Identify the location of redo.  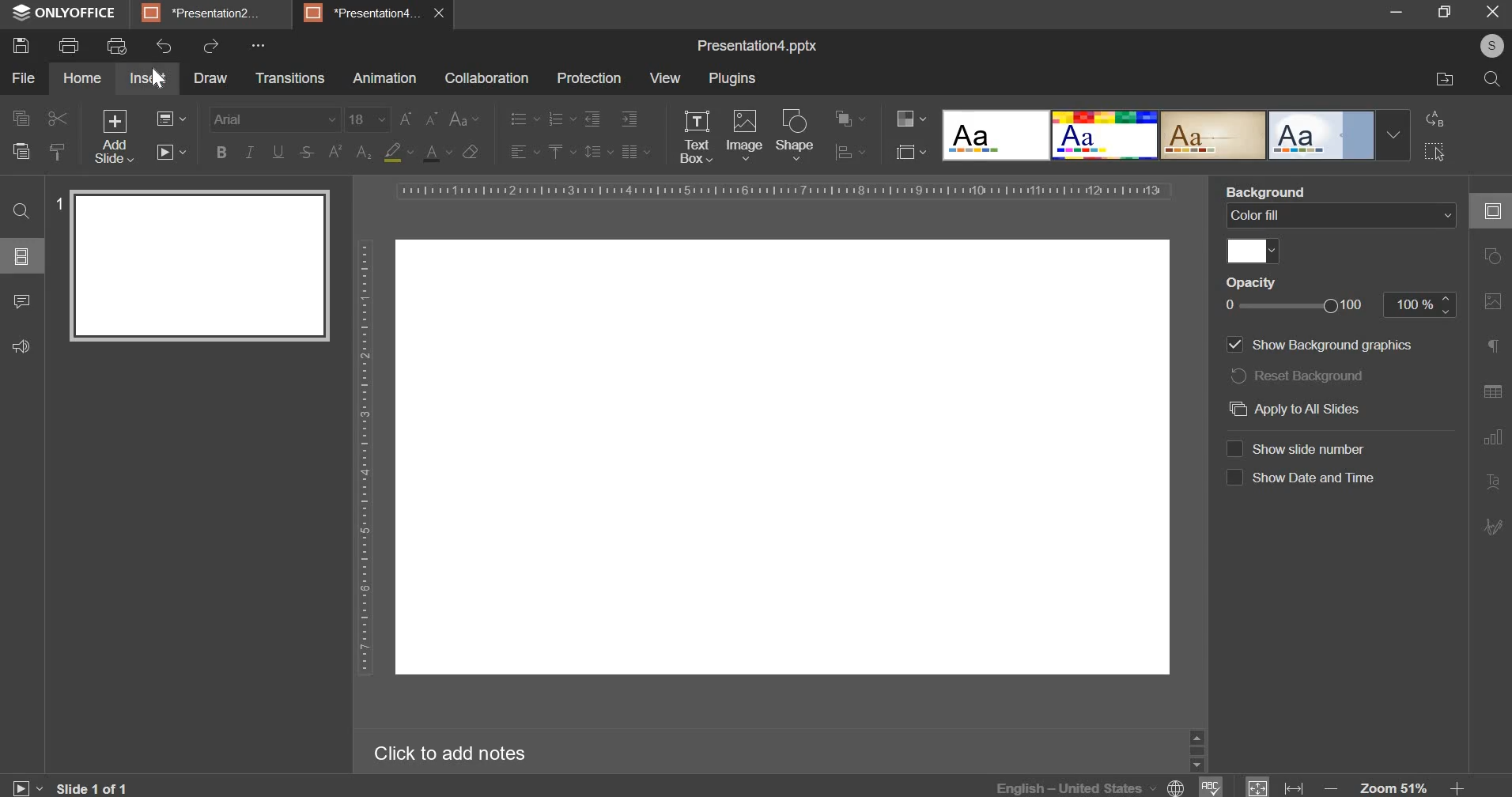
(210, 47).